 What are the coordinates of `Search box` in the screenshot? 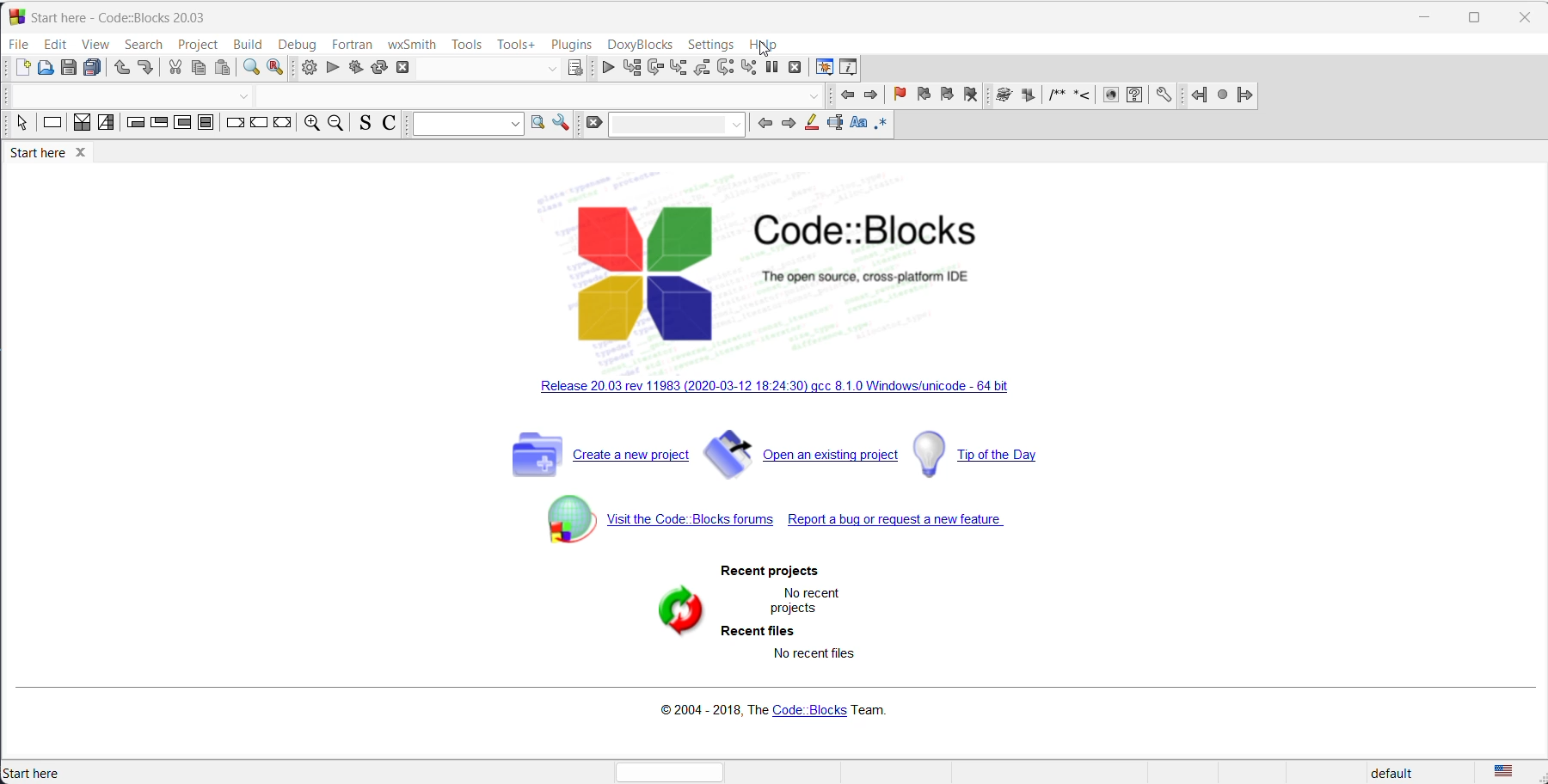 It's located at (677, 125).